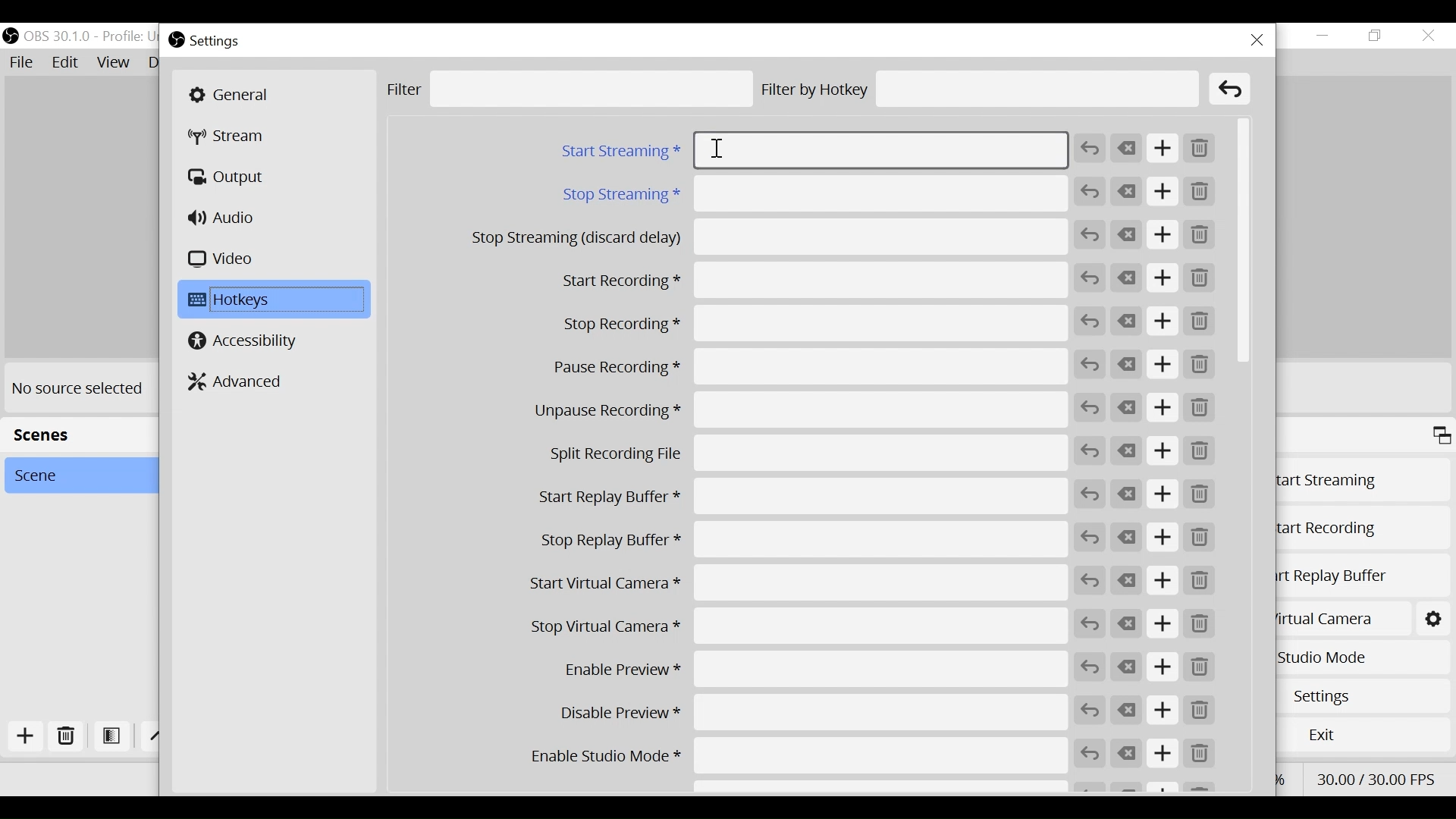 Image resolution: width=1456 pixels, height=819 pixels. I want to click on Stop Streaming, so click(813, 194).